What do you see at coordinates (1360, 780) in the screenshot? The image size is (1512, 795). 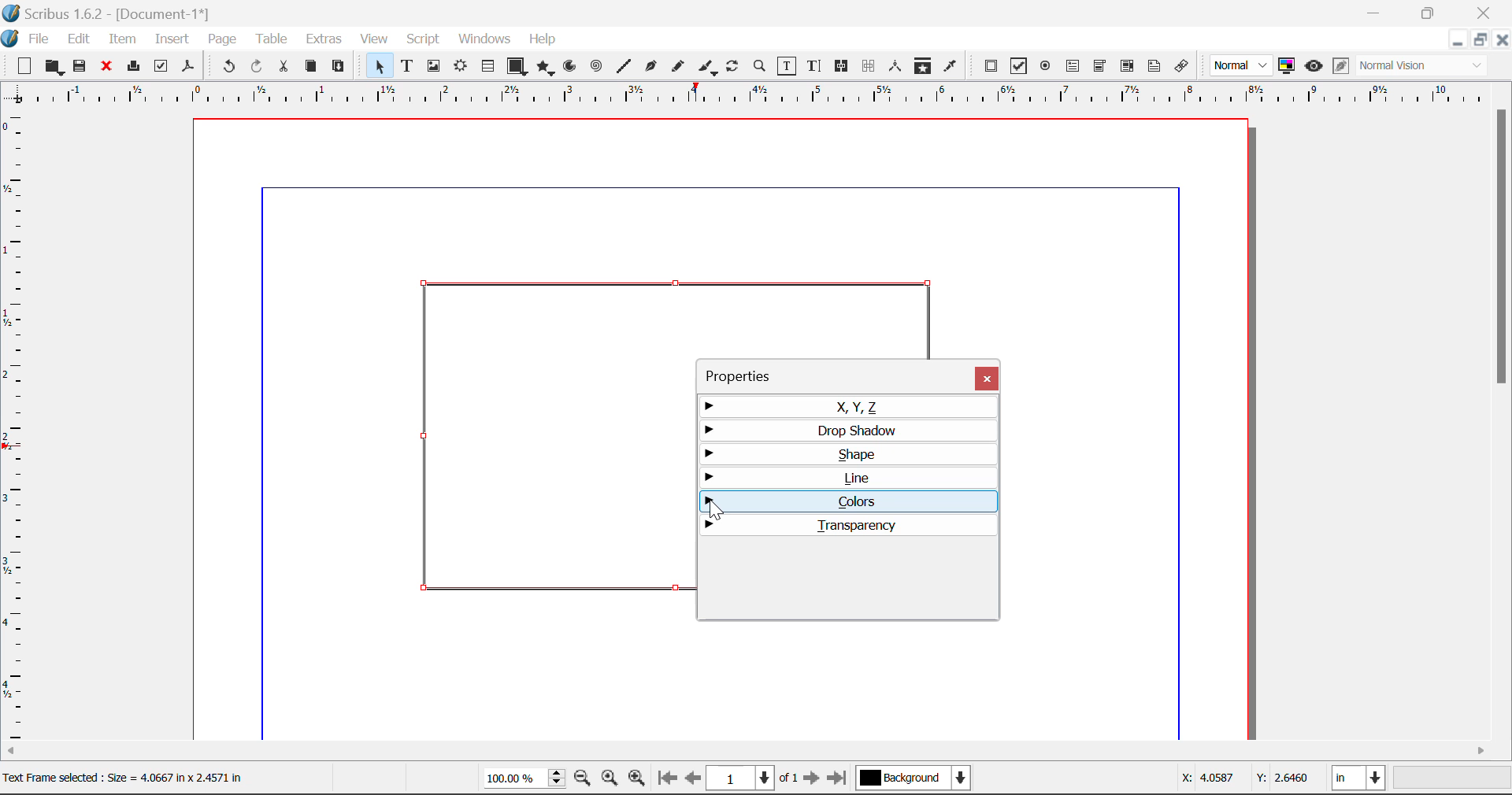 I see `Measurement Units` at bounding box center [1360, 780].